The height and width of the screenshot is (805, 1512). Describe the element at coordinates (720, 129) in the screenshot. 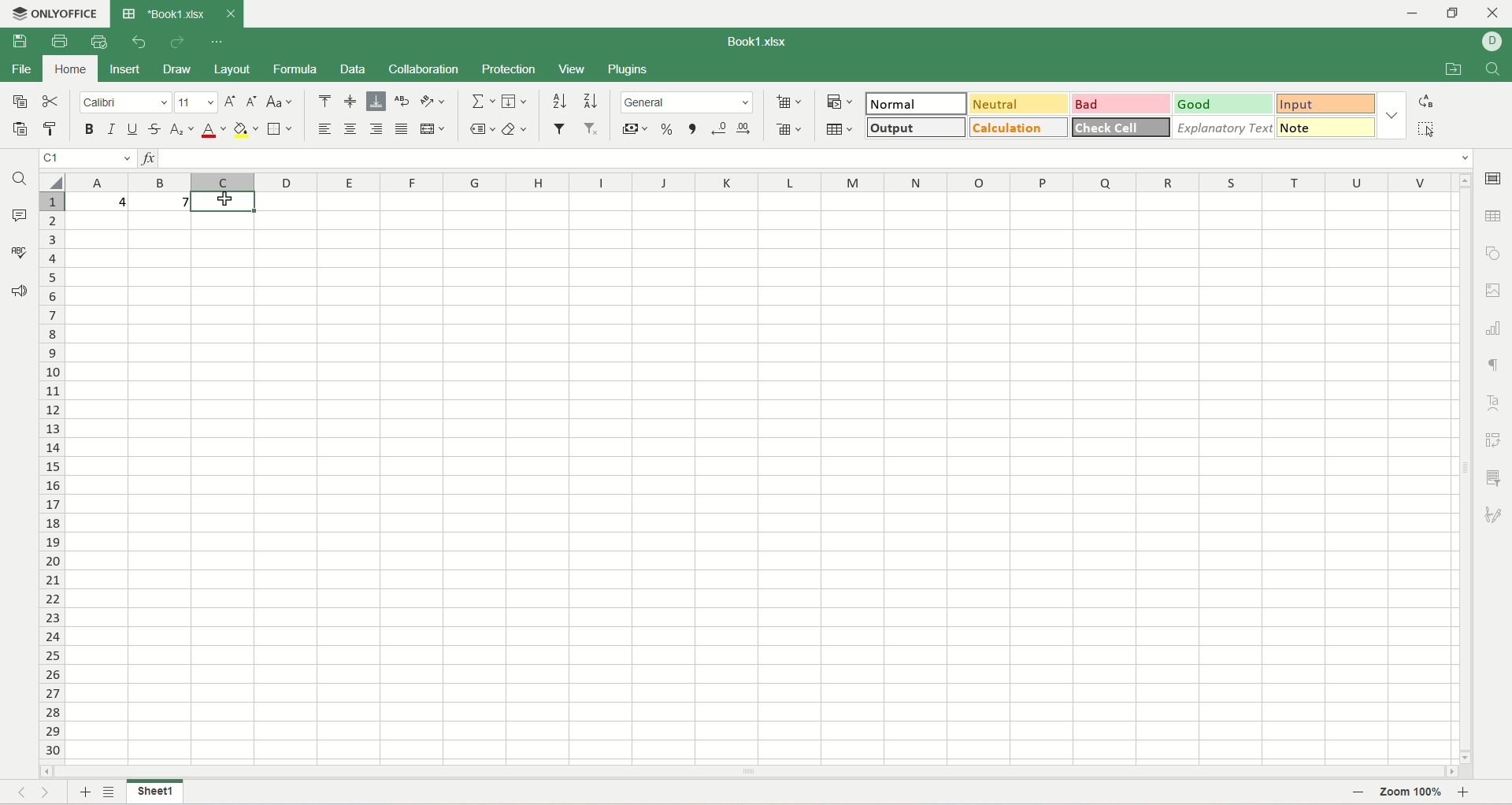

I see `decrease decimal` at that location.